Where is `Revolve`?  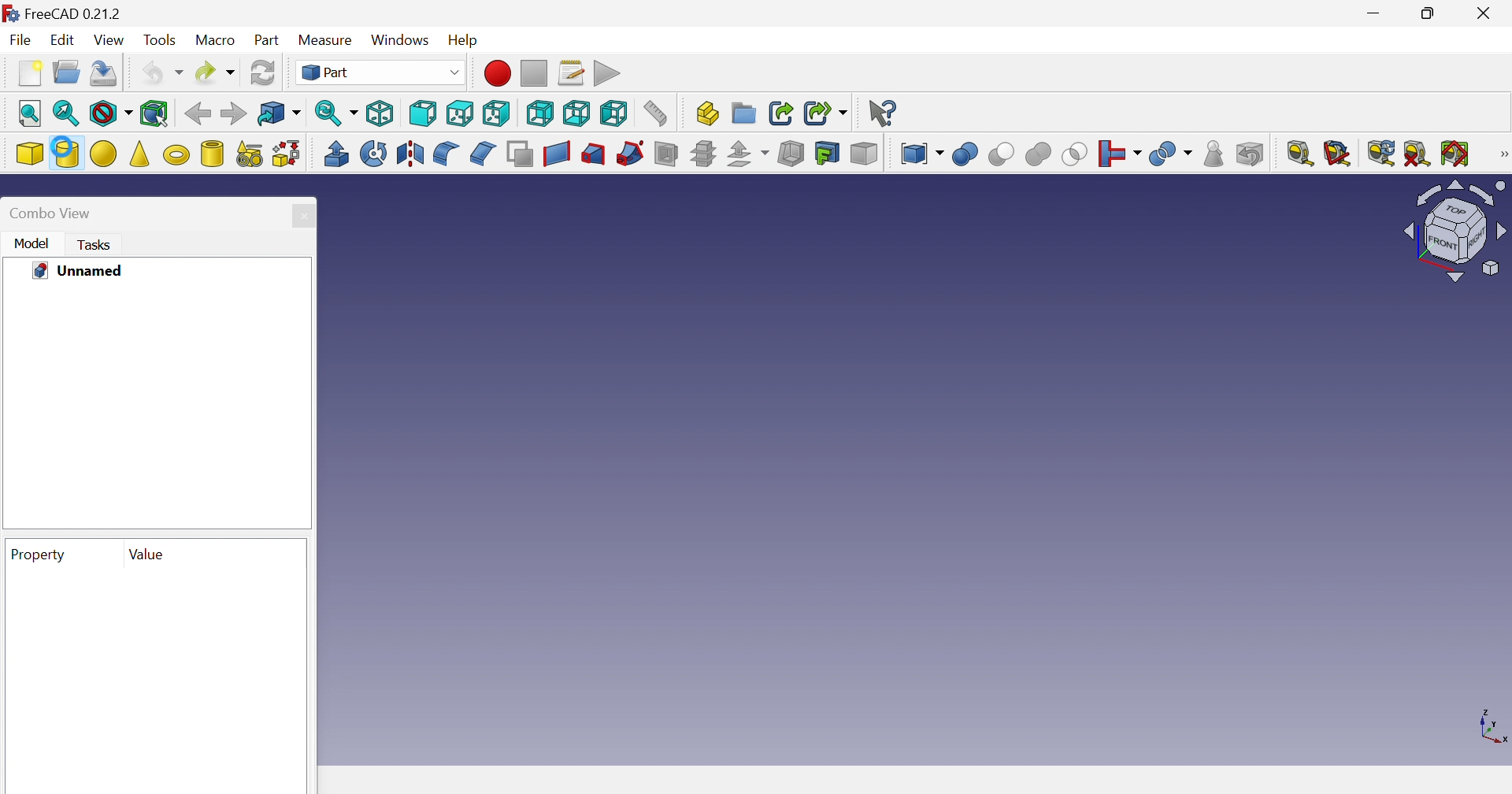 Revolve is located at coordinates (375, 154).